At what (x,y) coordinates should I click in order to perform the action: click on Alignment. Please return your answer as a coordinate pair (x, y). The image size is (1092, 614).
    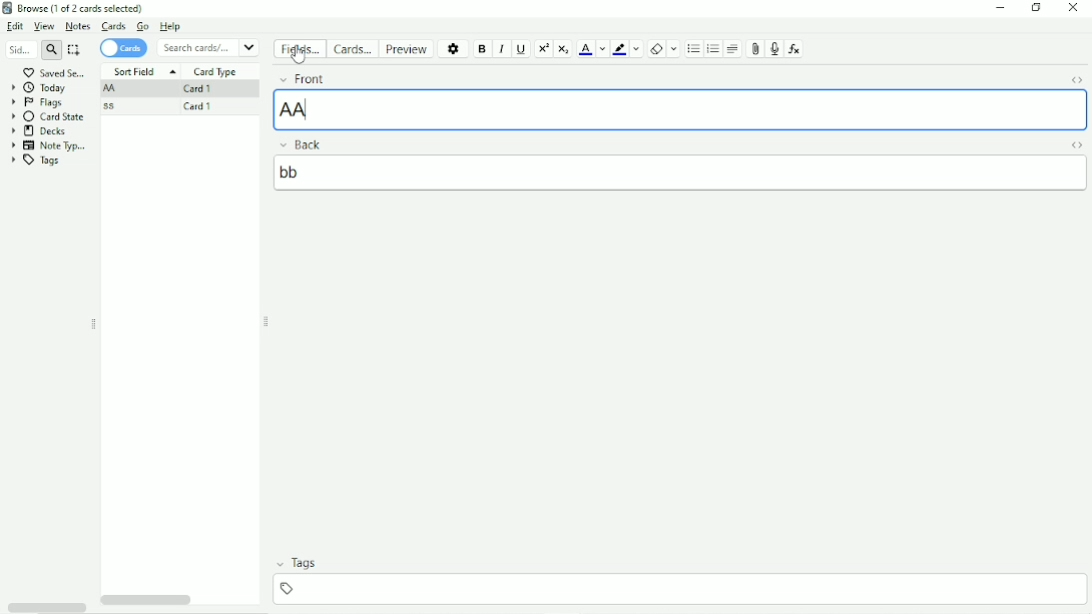
    Looking at the image, I should click on (734, 49).